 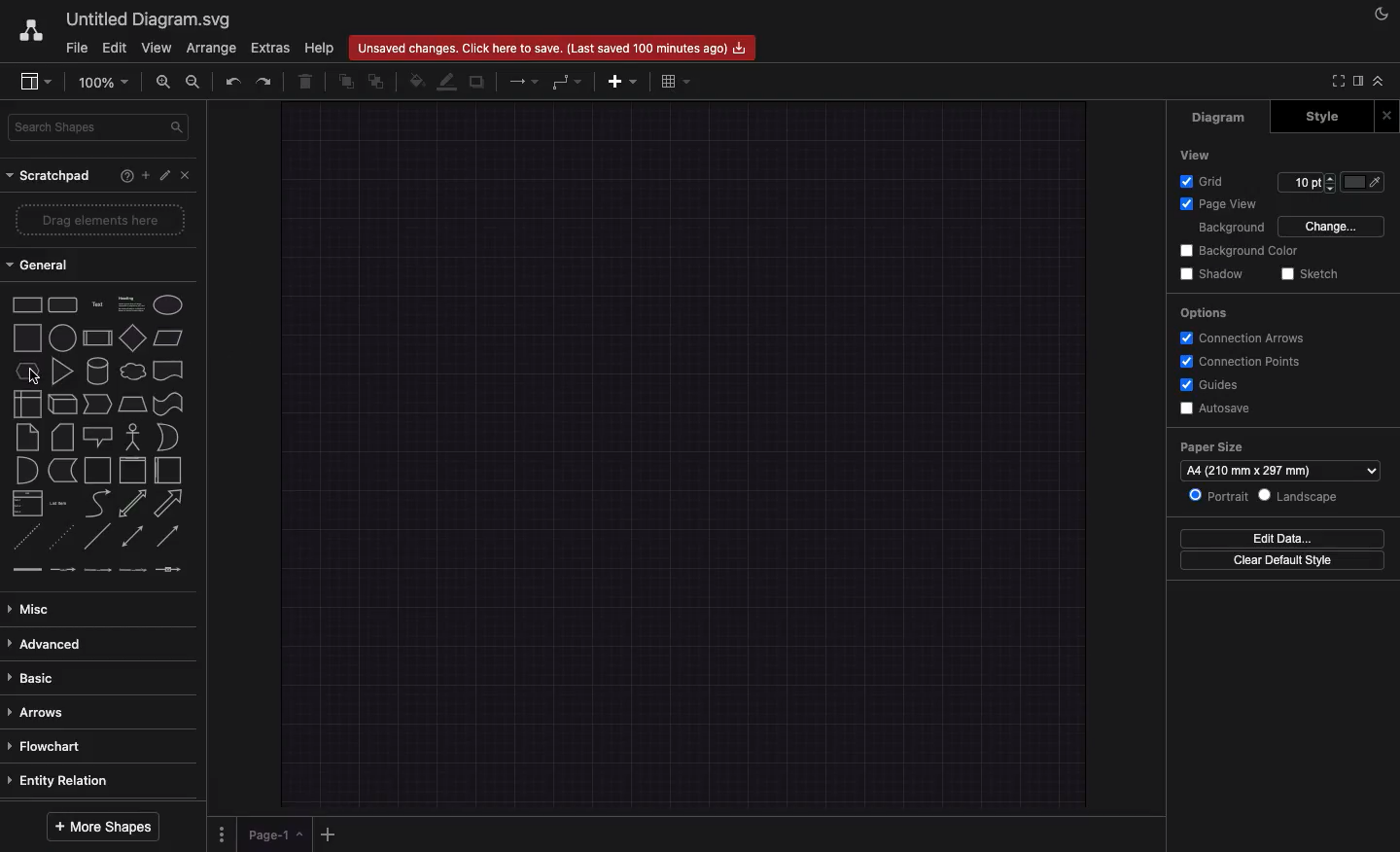 What do you see at coordinates (1337, 227) in the screenshot?
I see `Change` at bounding box center [1337, 227].